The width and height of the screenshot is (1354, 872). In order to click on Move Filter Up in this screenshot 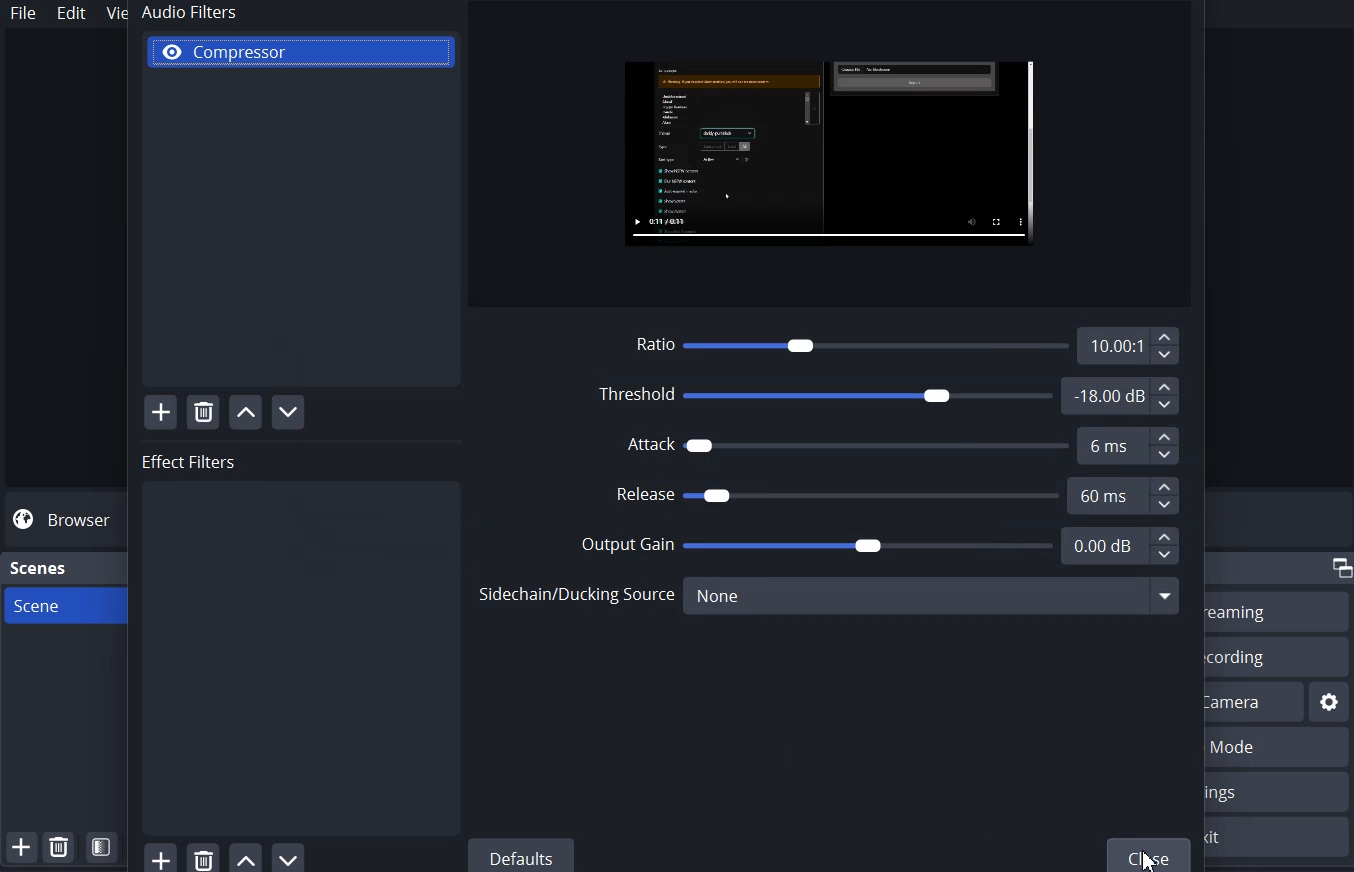, I will do `click(246, 857)`.